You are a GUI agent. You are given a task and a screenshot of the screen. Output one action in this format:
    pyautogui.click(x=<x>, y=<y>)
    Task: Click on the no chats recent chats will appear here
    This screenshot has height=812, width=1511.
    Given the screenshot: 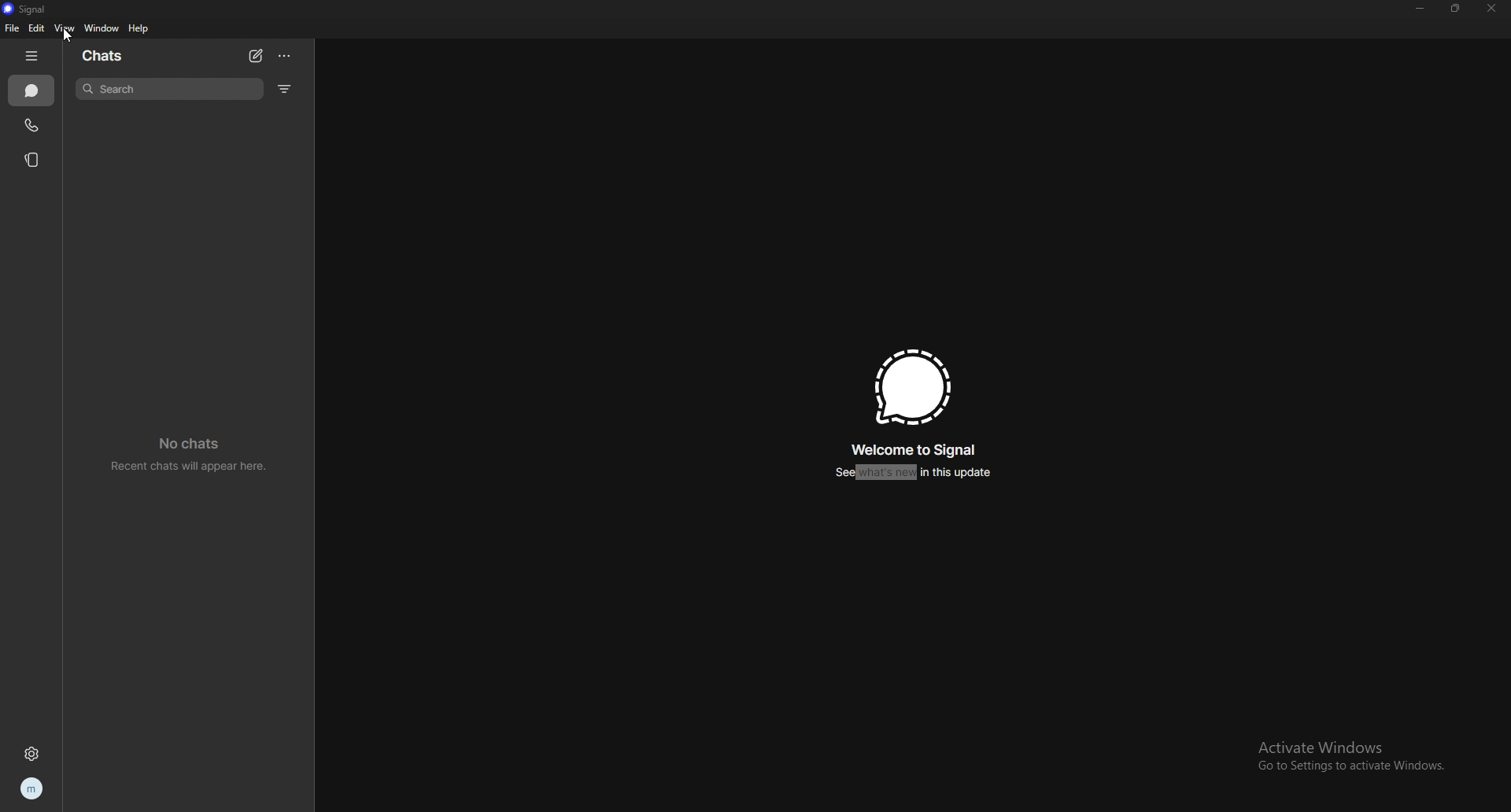 What is the action you would take?
    pyautogui.click(x=194, y=456)
    